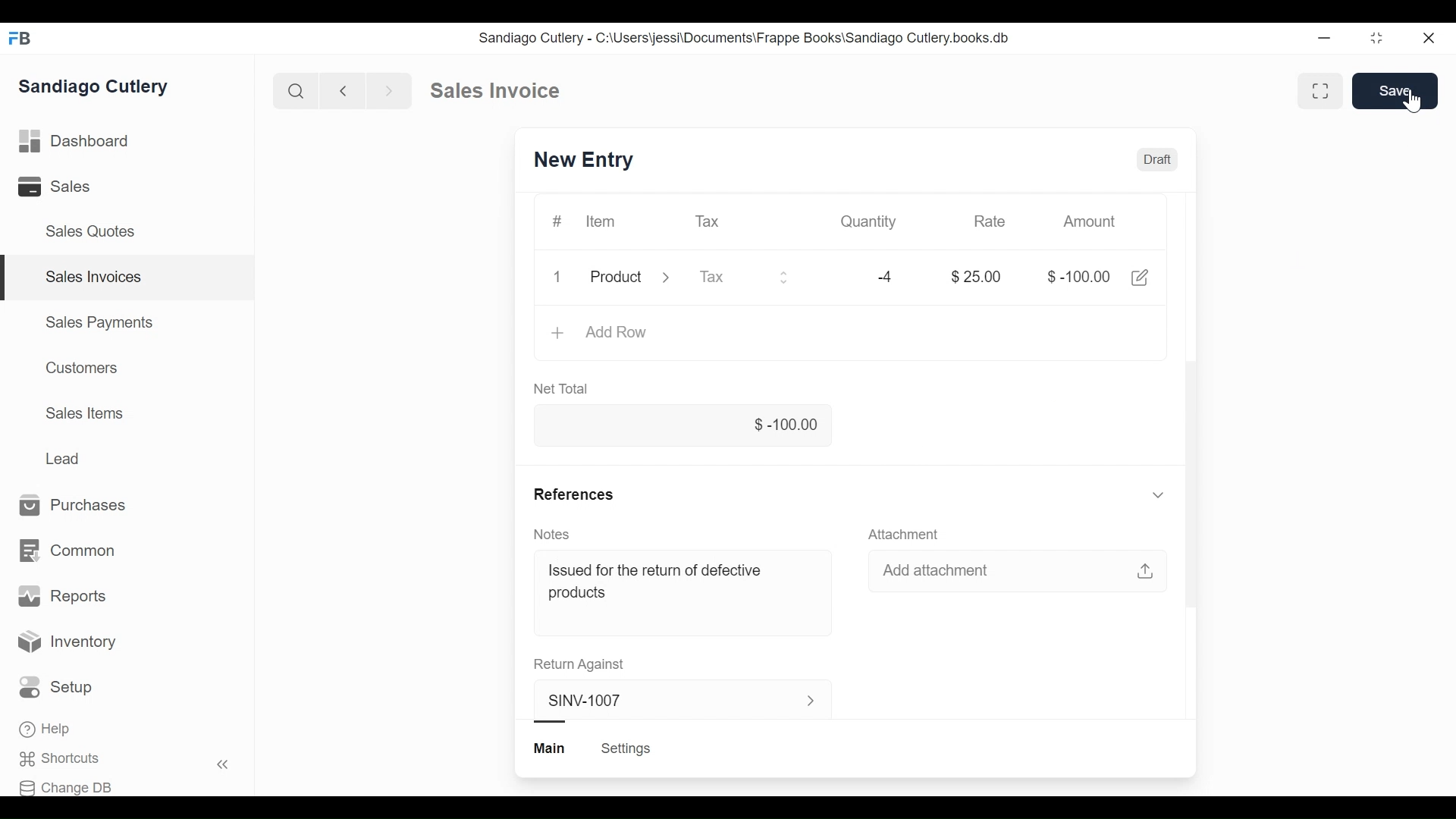  What do you see at coordinates (585, 158) in the screenshot?
I see `SINV-1007` at bounding box center [585, 158].